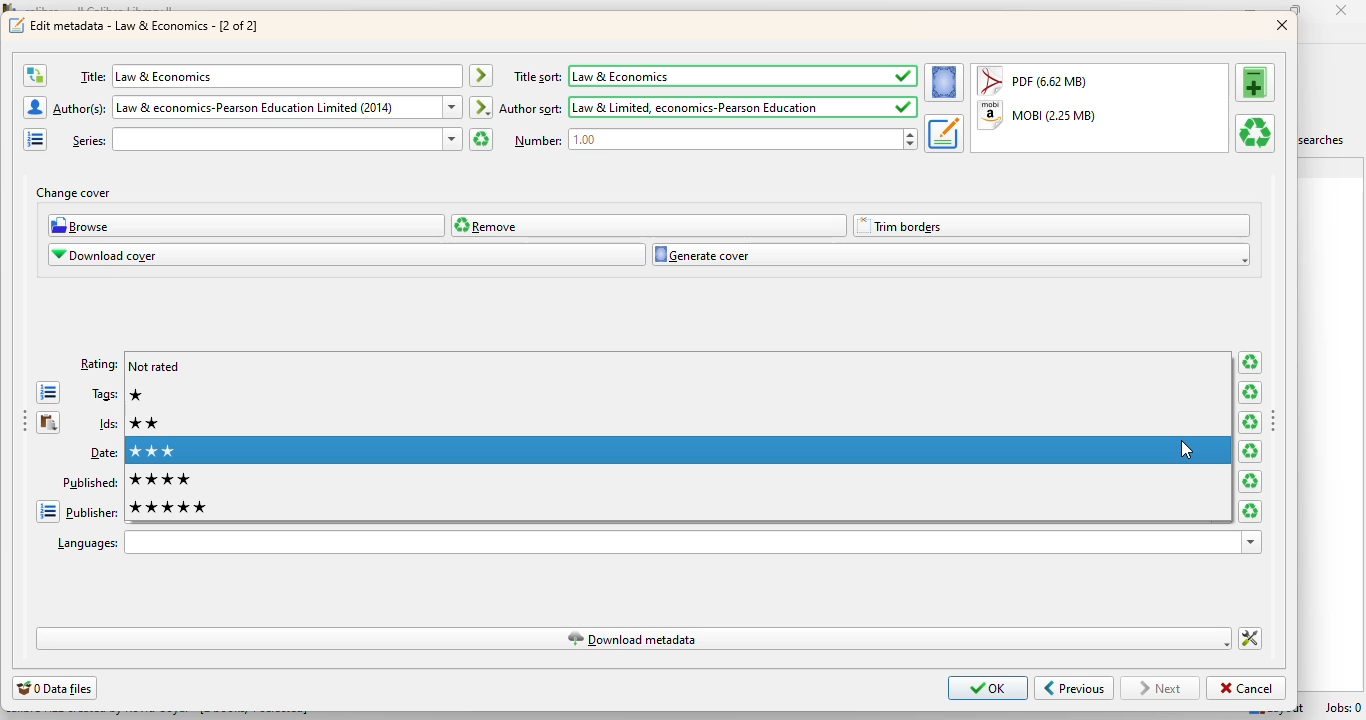 The height and width of the screenshot is (720, 1366). What do you see at coordinates (1275, 422) in the screenshot?
I see `toggle sidebar` at bounding box center [1275, 422].